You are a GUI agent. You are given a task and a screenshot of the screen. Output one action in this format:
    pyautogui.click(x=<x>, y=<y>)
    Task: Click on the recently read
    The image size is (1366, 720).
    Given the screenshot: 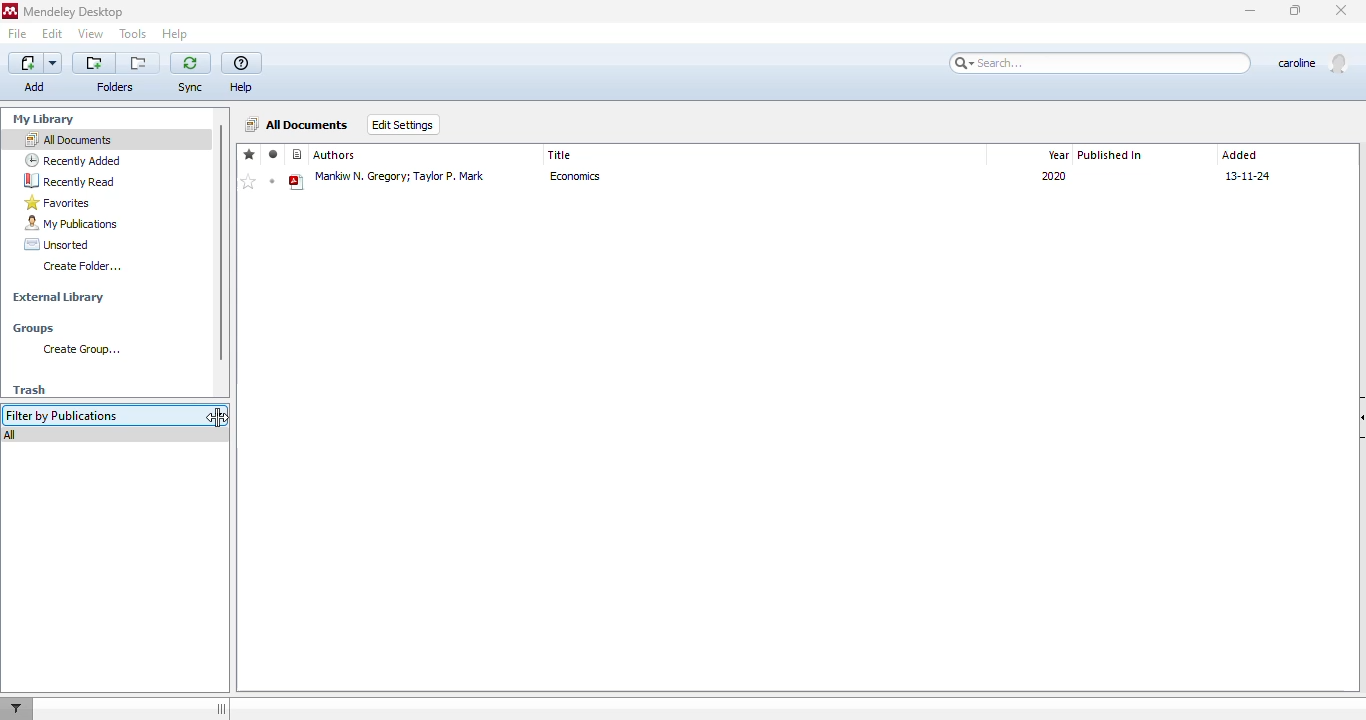 What is the action you would take?
    pyautogui.click(x=68, y=180)
    